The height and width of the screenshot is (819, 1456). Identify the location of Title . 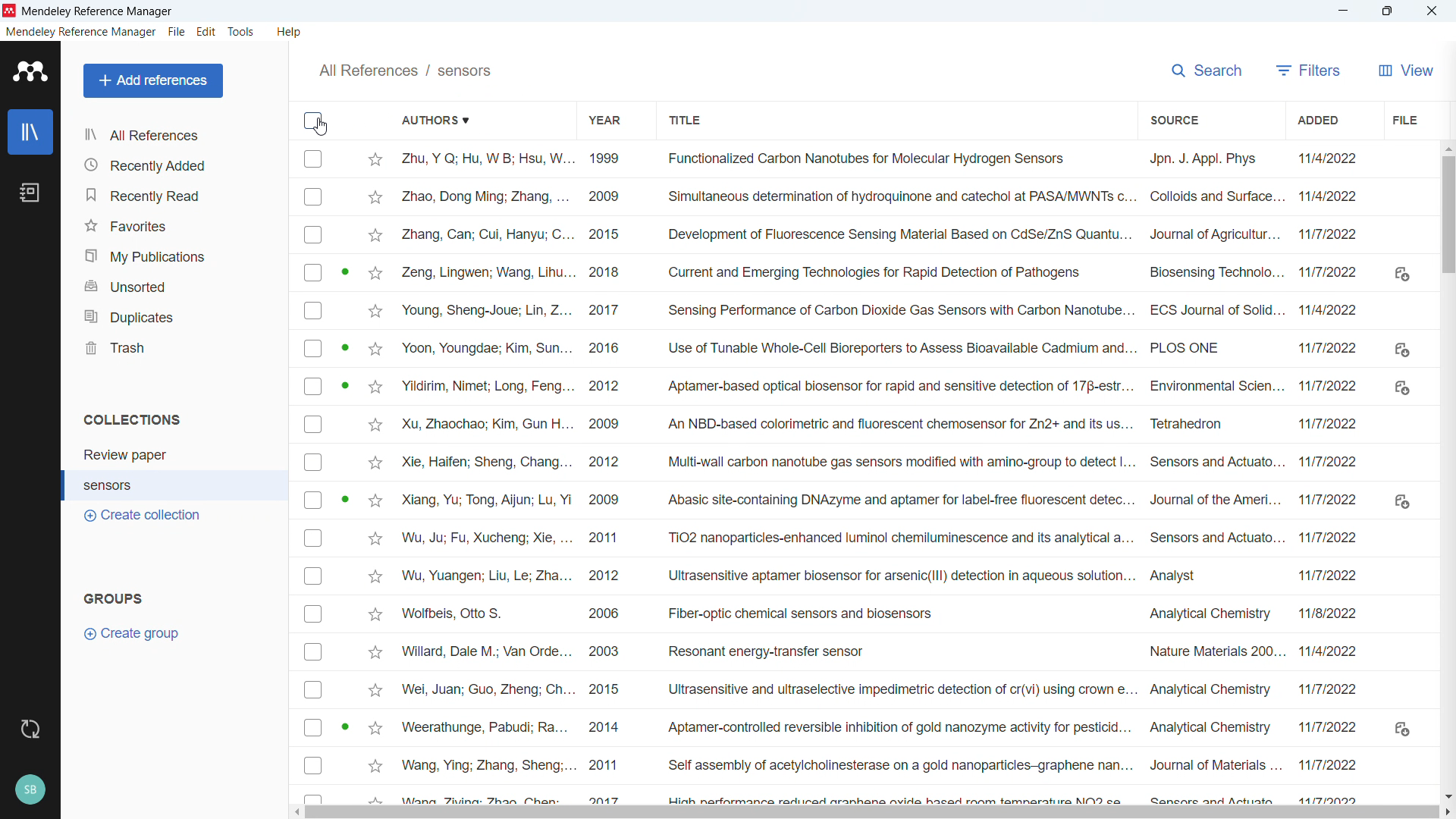
(99, 11).